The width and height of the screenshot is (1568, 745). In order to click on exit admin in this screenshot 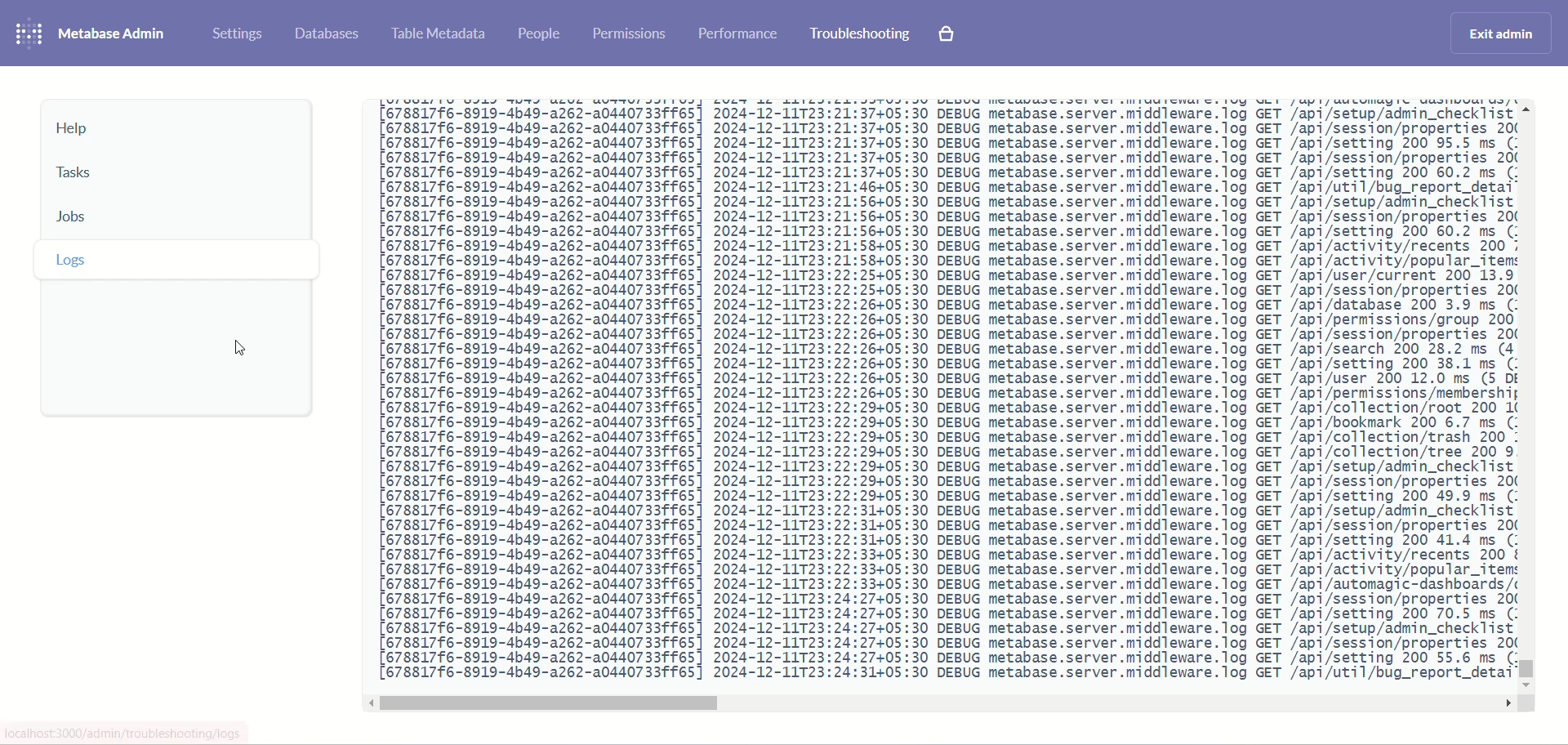, I will do `click(1503, 34)`.